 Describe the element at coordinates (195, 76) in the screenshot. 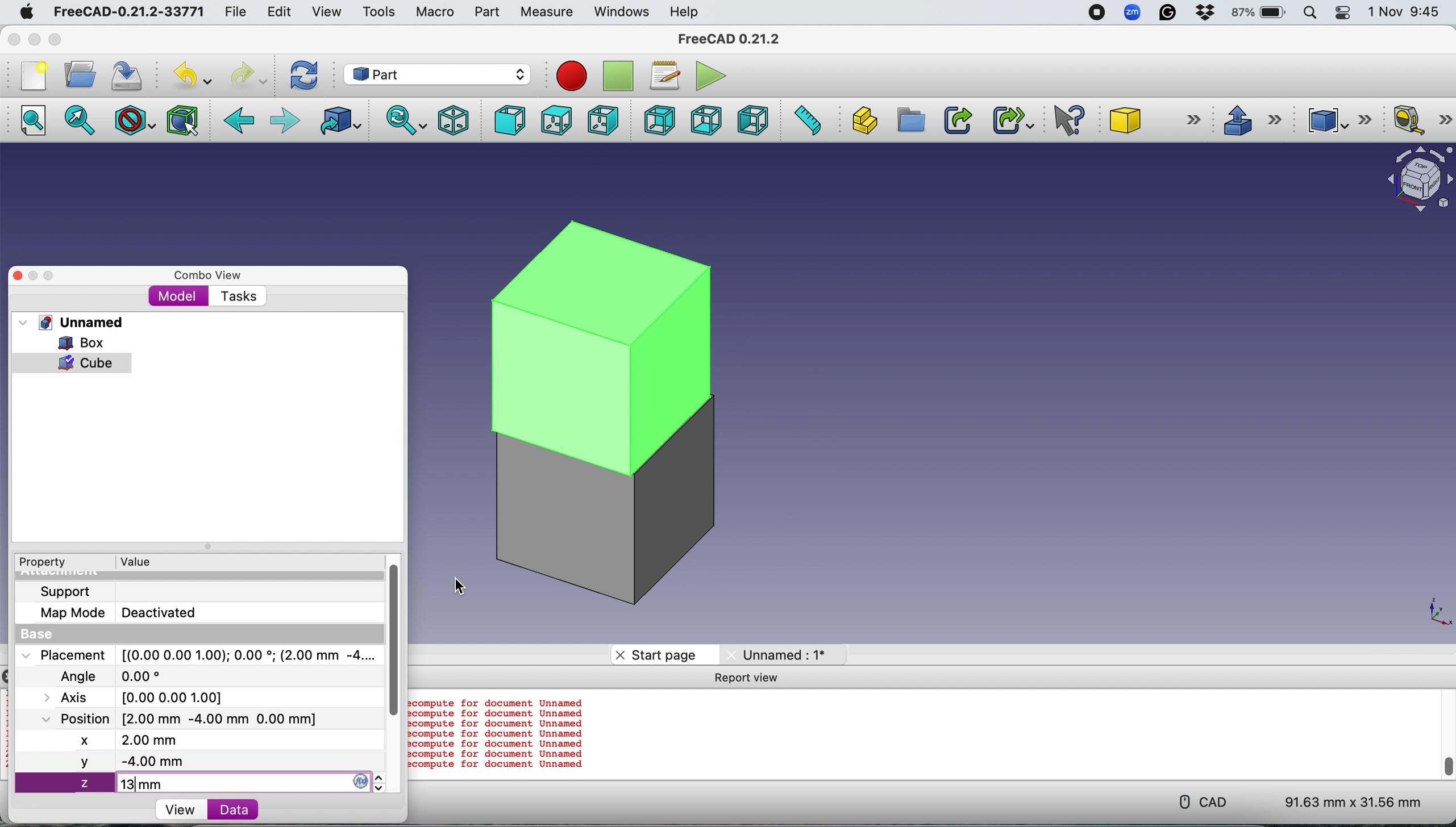

I see `Undo` at that location.